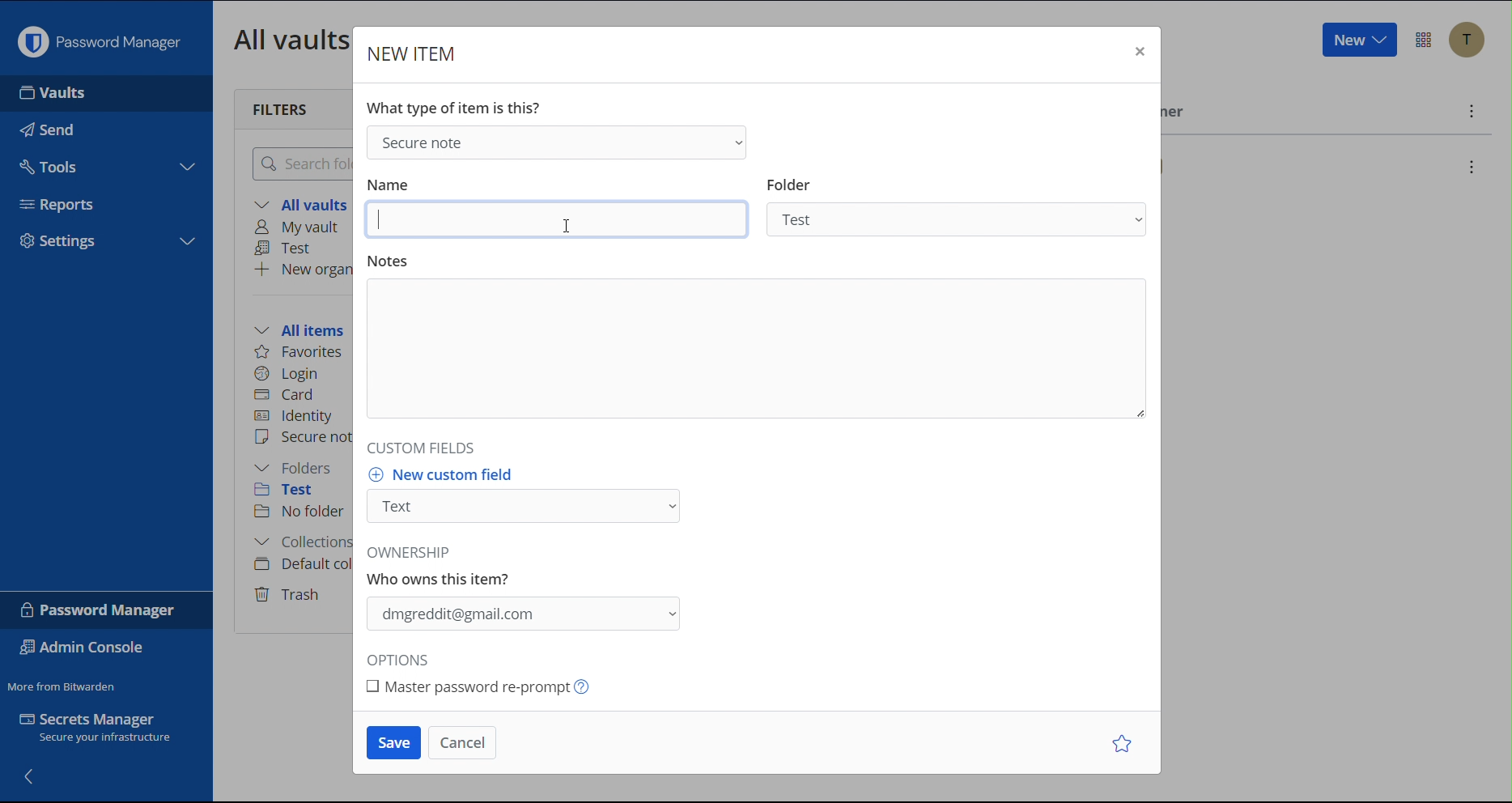 This screenshot has width=1512, height=803. Describe the element at coordinates (565, 227) in the screenshot. I see `Cursor` at that location.